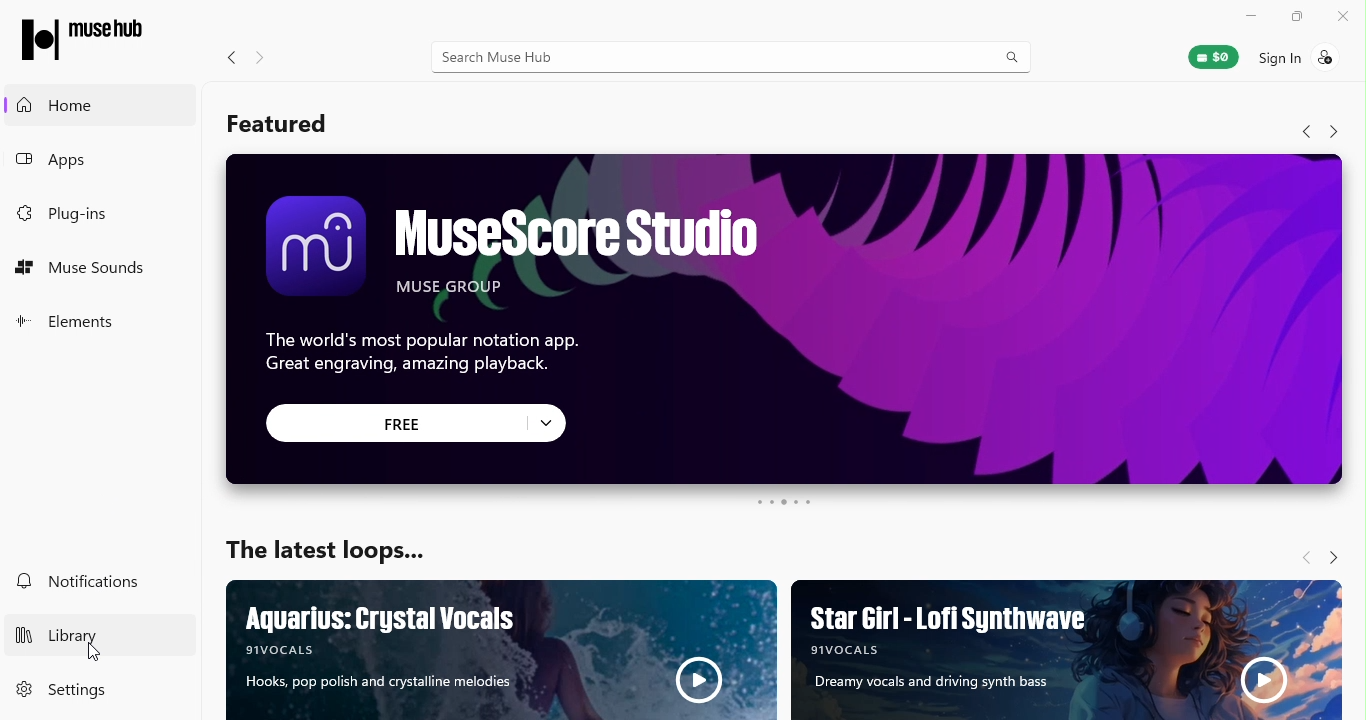 The width and height of the screenshot is (1366, 720). Describe the element at coordinates (1344, 18) in the screenshot. I see `Close` at that location.